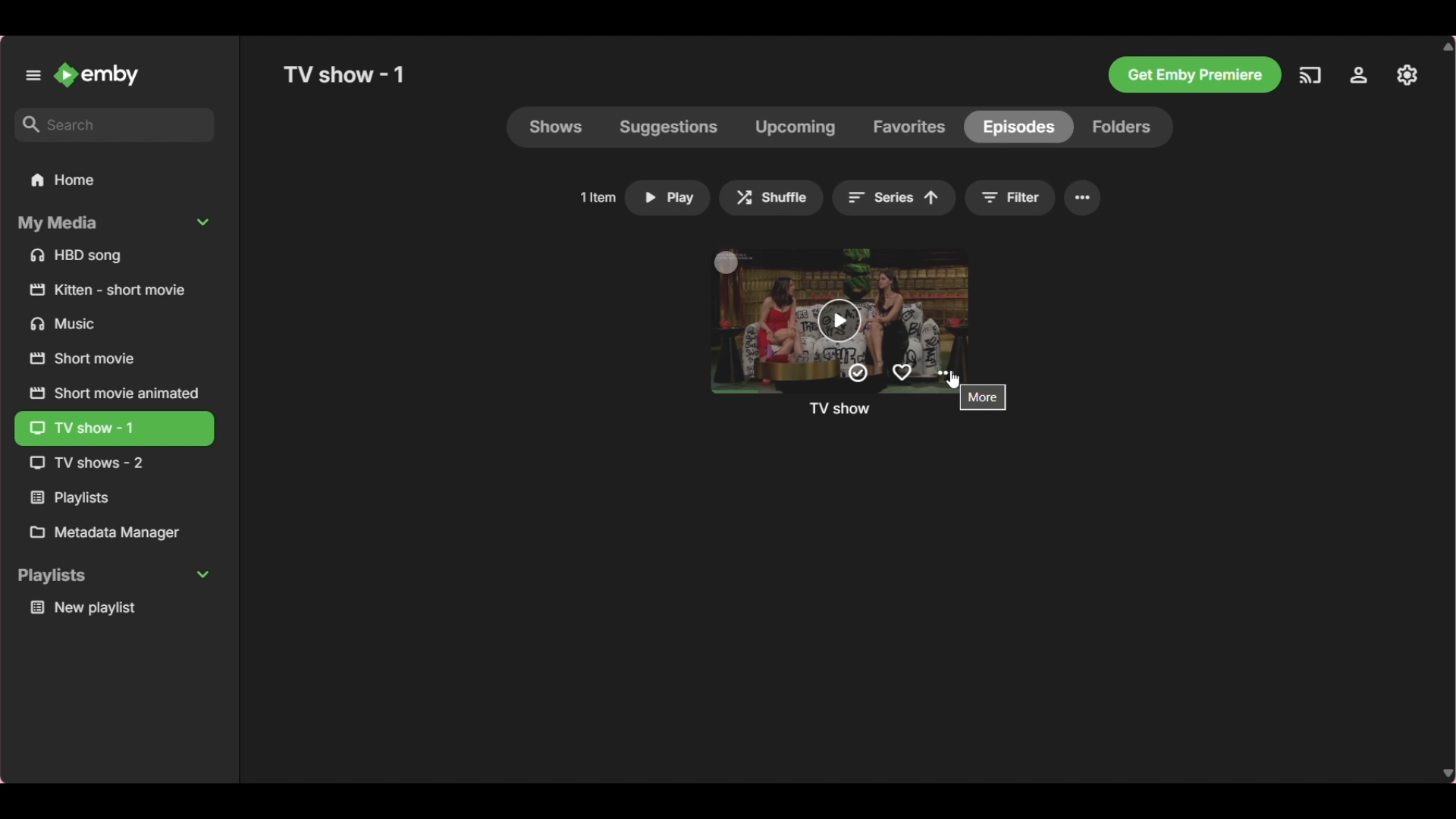  What do you see at coordinates (598, 197) in the screenshot?
I see `Total number of items in current selection` at bounding box center [598, 197].